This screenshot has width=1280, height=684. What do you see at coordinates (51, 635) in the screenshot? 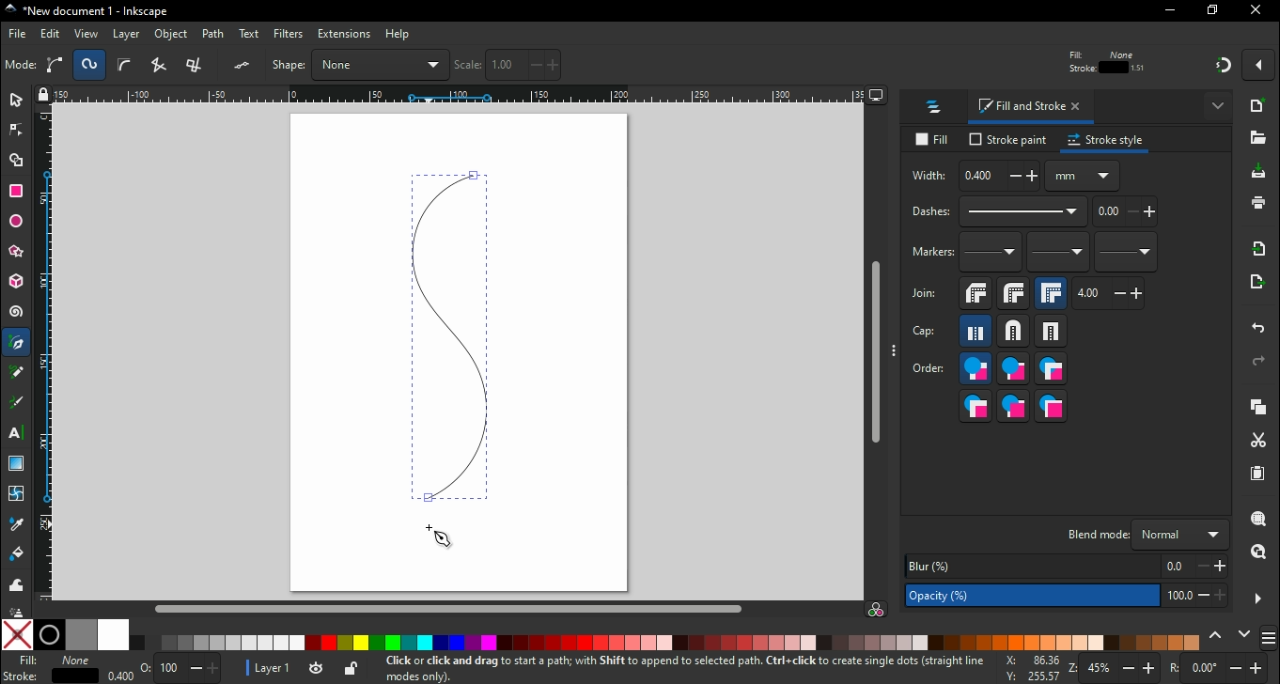
I see `black` at bounding box center [51, 635].